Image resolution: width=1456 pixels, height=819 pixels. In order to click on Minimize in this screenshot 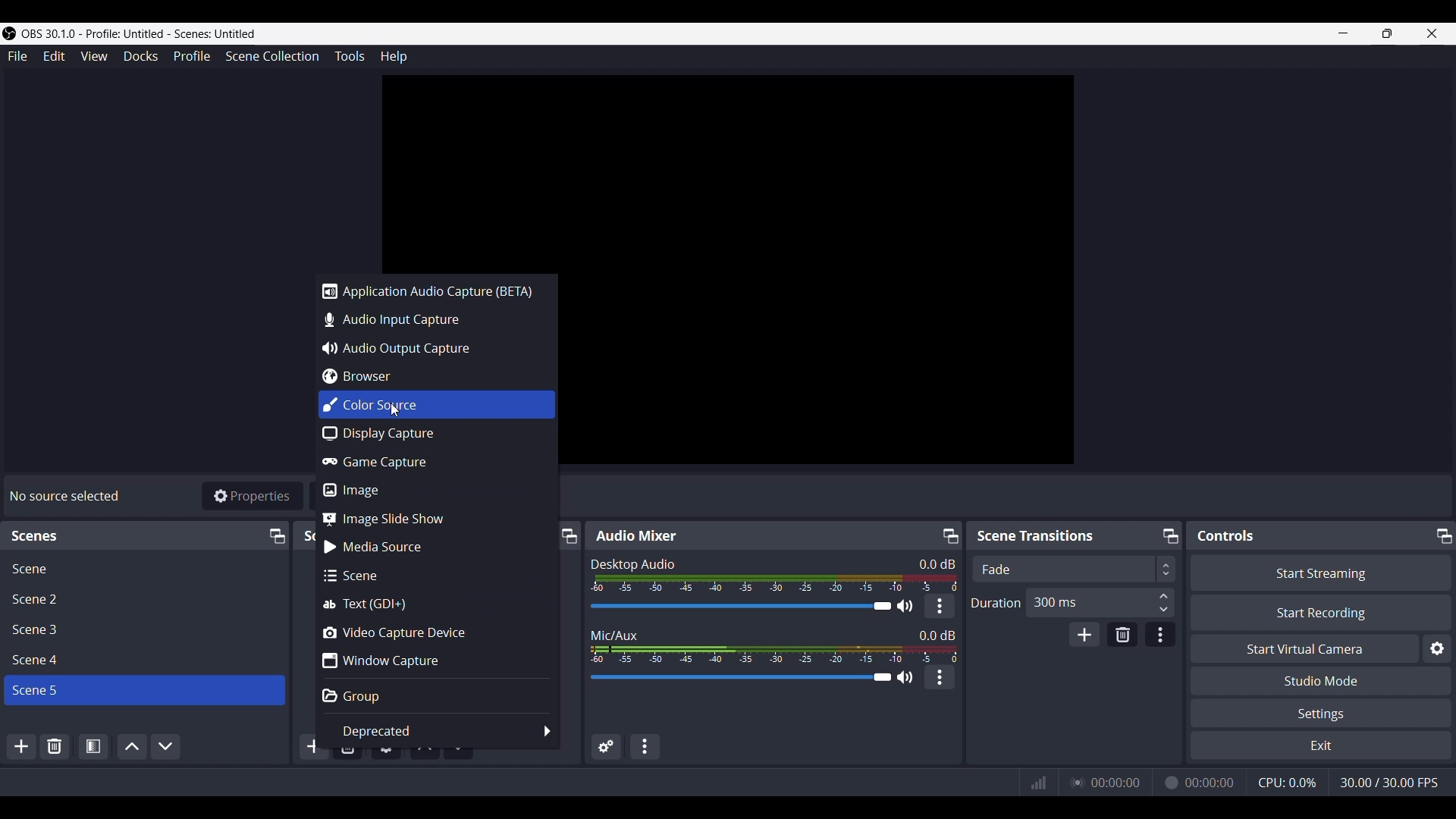, I will do `click(1344, 34)`.